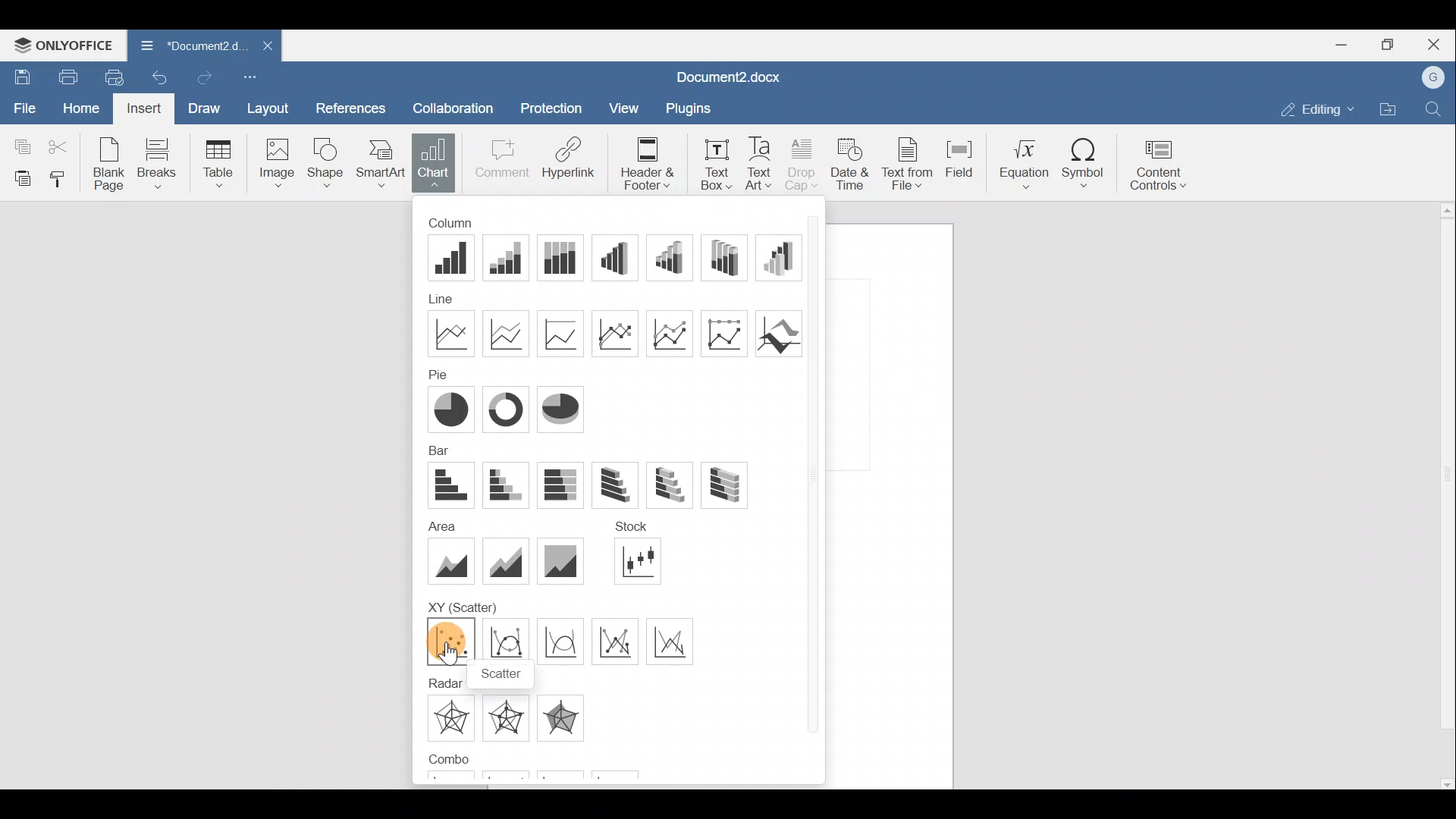 The width and height of the screenshot is (1456, 819). Describe the element at coordinates (510, 777) in the screenshot. I see `Clustered column-line on secondary axis` at that location.